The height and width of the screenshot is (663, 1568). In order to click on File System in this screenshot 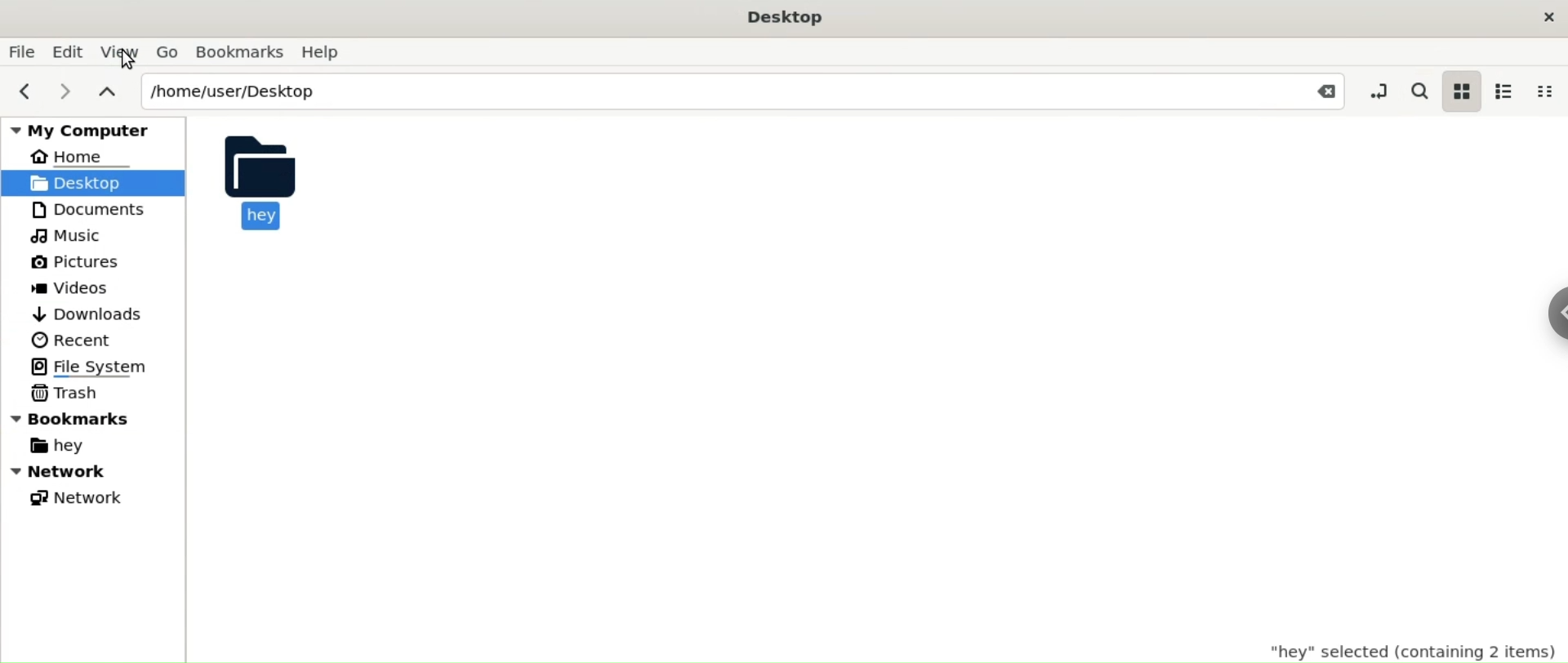, I will do `click(89, 367)`.